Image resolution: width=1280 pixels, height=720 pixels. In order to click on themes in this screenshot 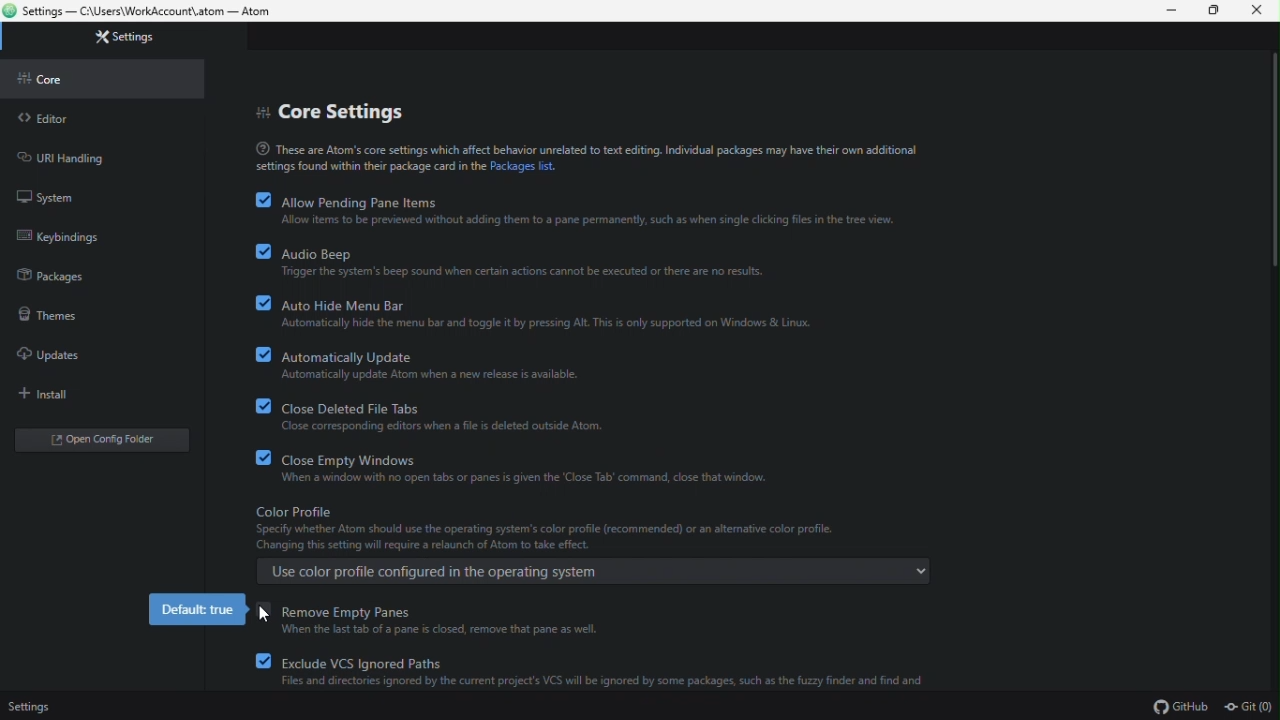, I will do `click(55, 314)`.